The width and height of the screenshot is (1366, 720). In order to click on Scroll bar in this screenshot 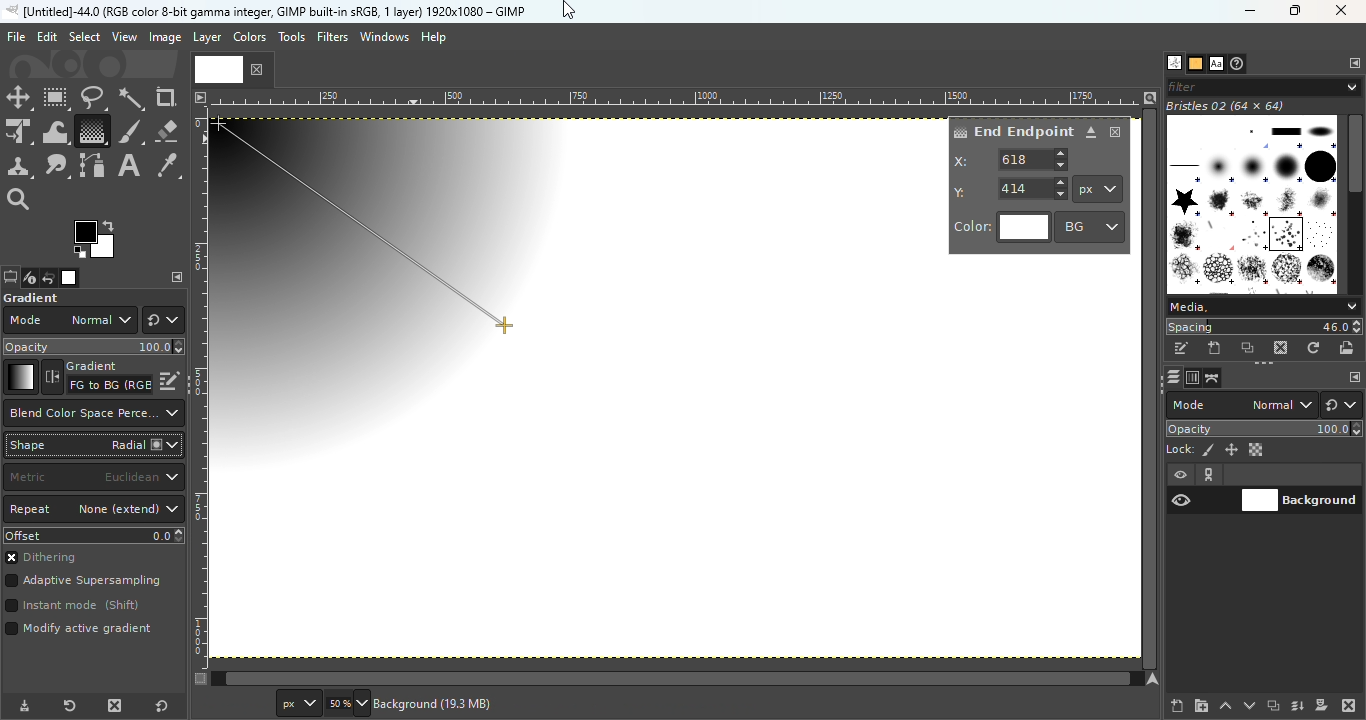, I will do `click(1355, 201)`.